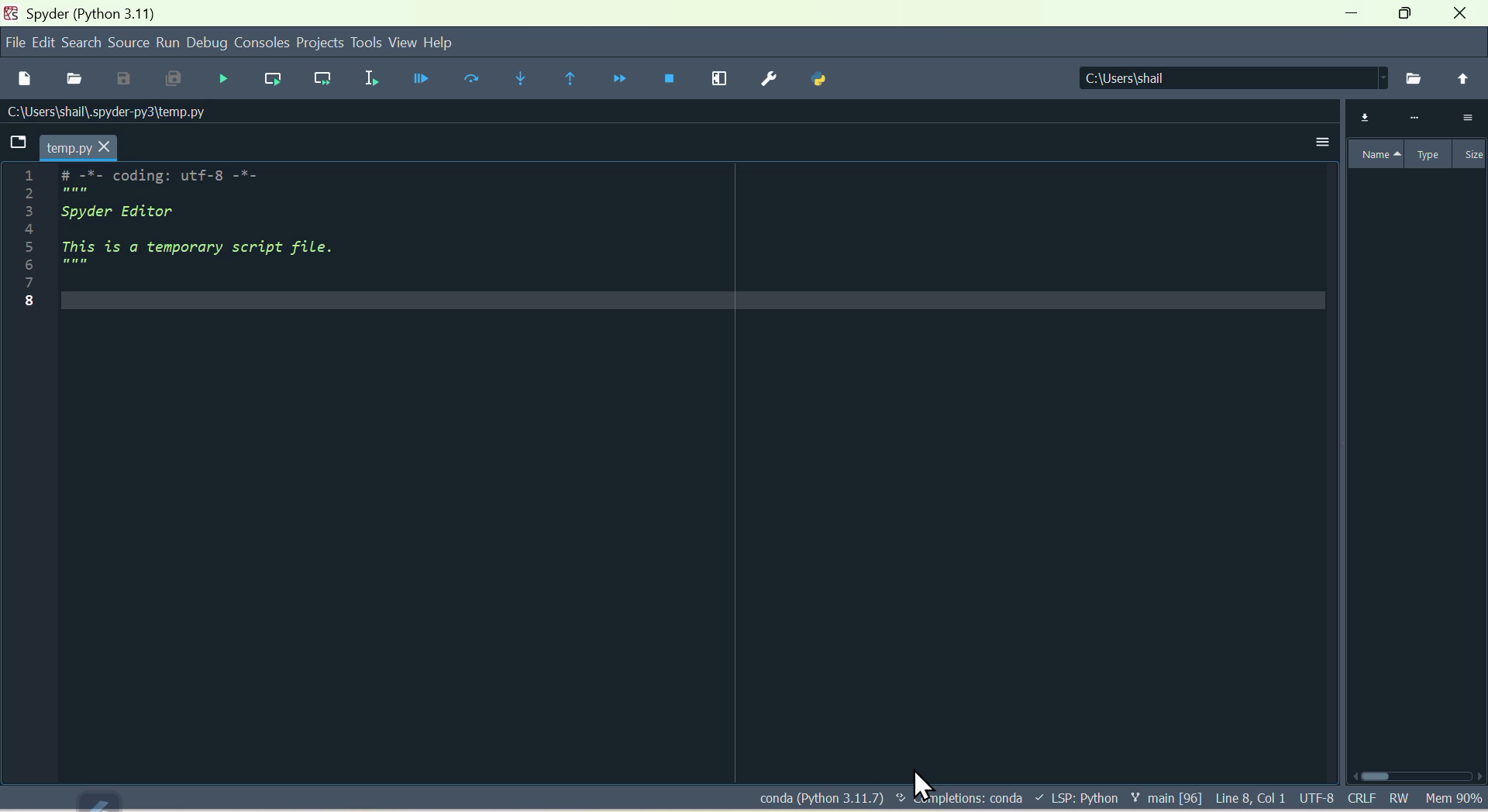 This screenshot has width=1488, height=812. Describe the element at coordinates (170, 80) in the screenshot. I see `Save all` at that location.